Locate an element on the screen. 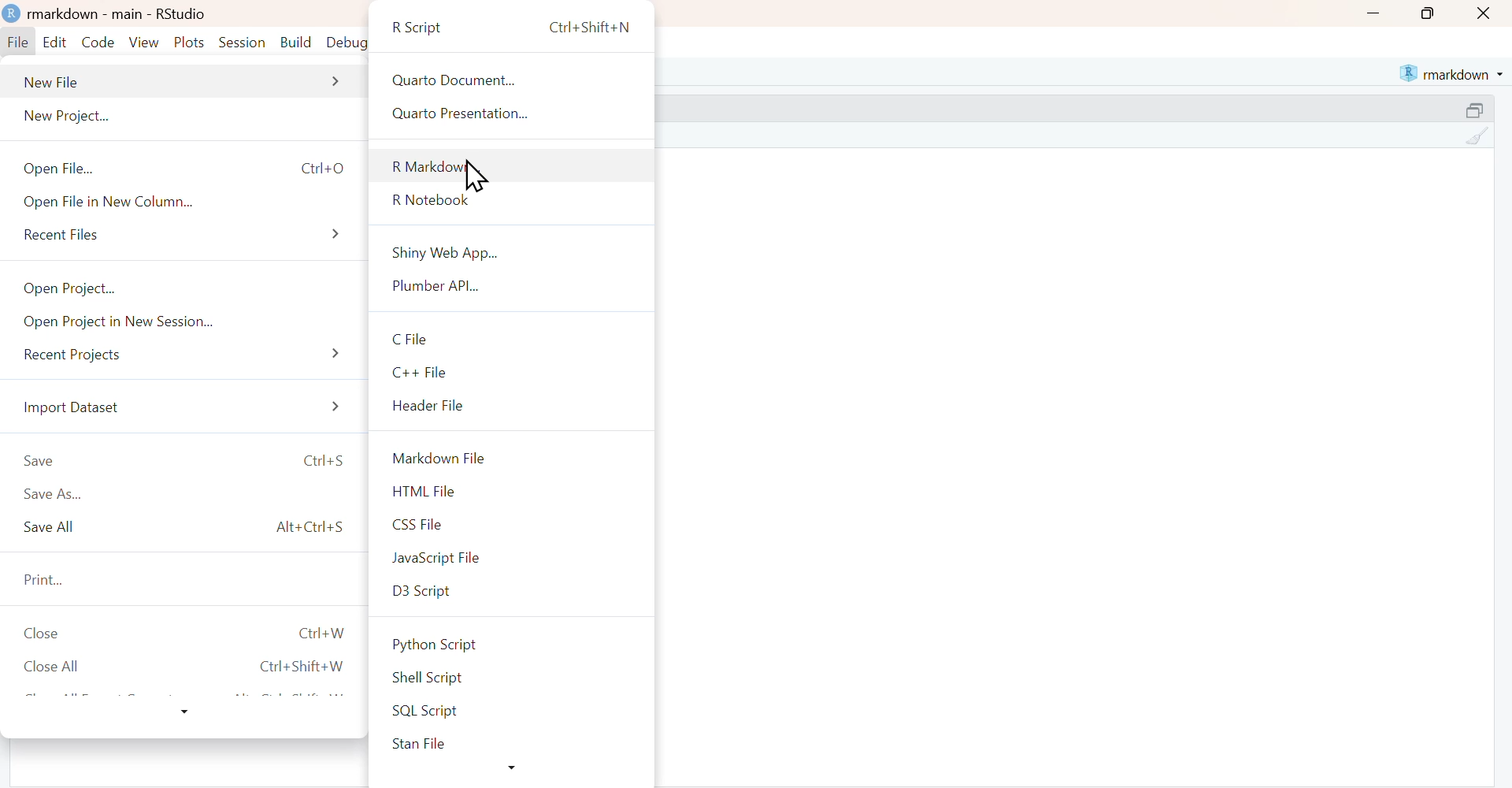 The height and width of the screenshot is (788, 1512). cursor is located at coordinates (473, 177).